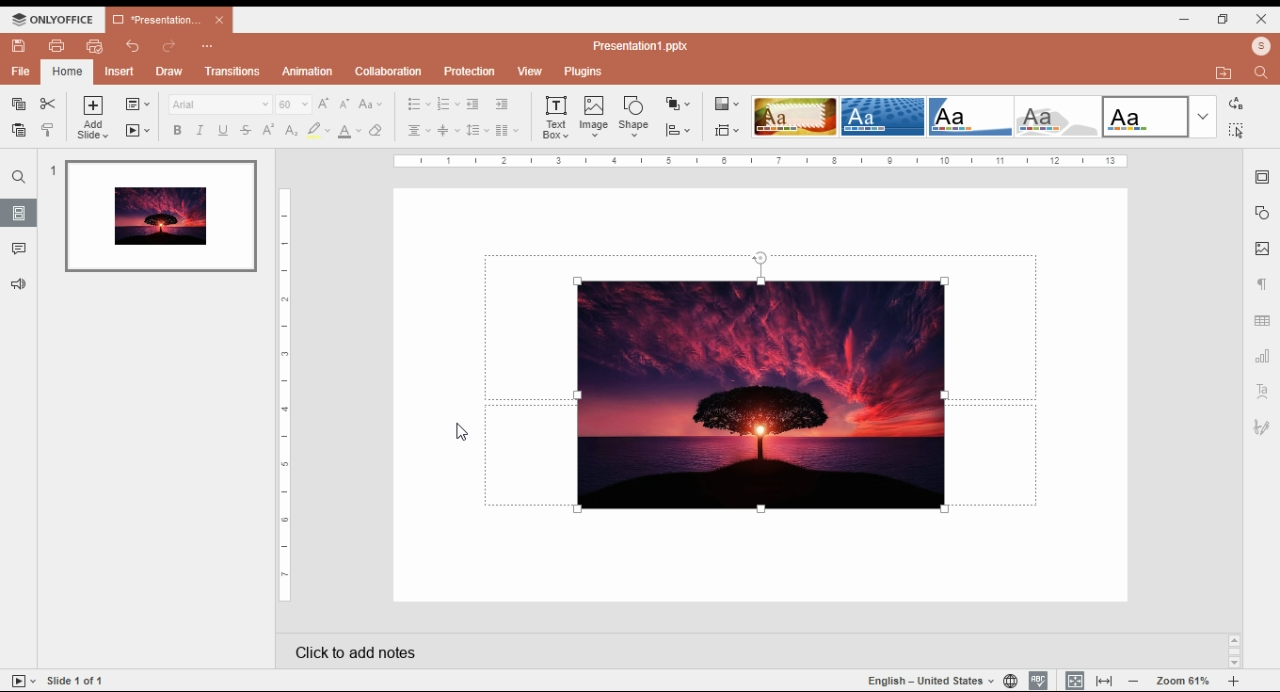 The width and height of the screenshot is (1280, 692). I want to click on transitions, so click(233, 72).